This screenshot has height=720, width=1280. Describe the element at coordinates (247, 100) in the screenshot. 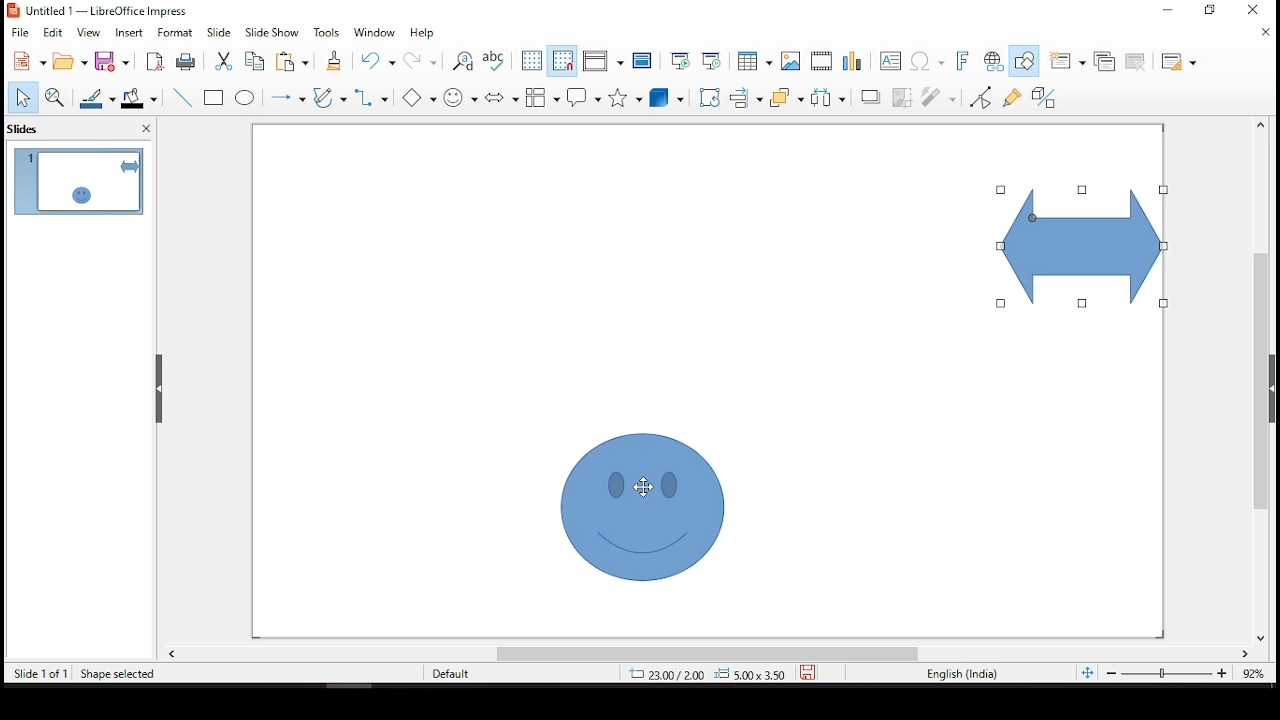

I see `ellipse` at that location.